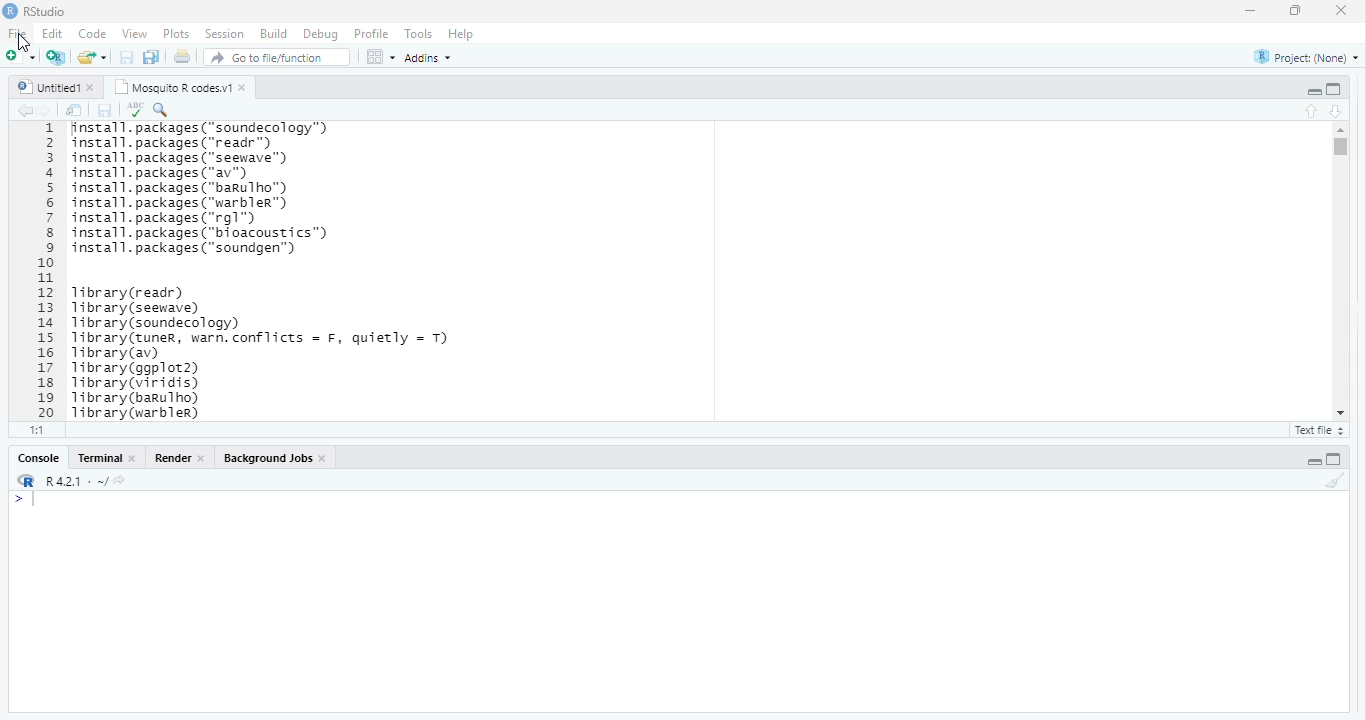 This screenshot has width=1366, height=720. Describe the element at coordinates (1342, 130) in the screenshot. I see `scroll up` at that location.